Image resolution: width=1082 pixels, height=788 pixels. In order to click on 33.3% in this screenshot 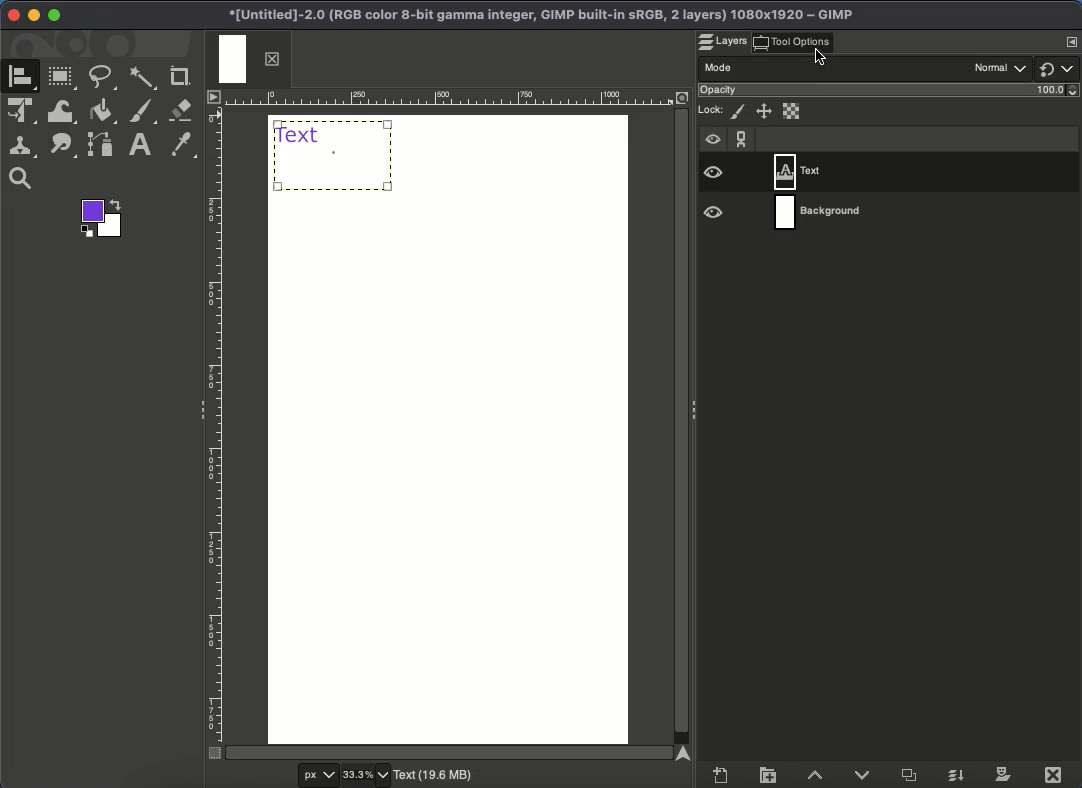, I will do `click(367, 775)`.